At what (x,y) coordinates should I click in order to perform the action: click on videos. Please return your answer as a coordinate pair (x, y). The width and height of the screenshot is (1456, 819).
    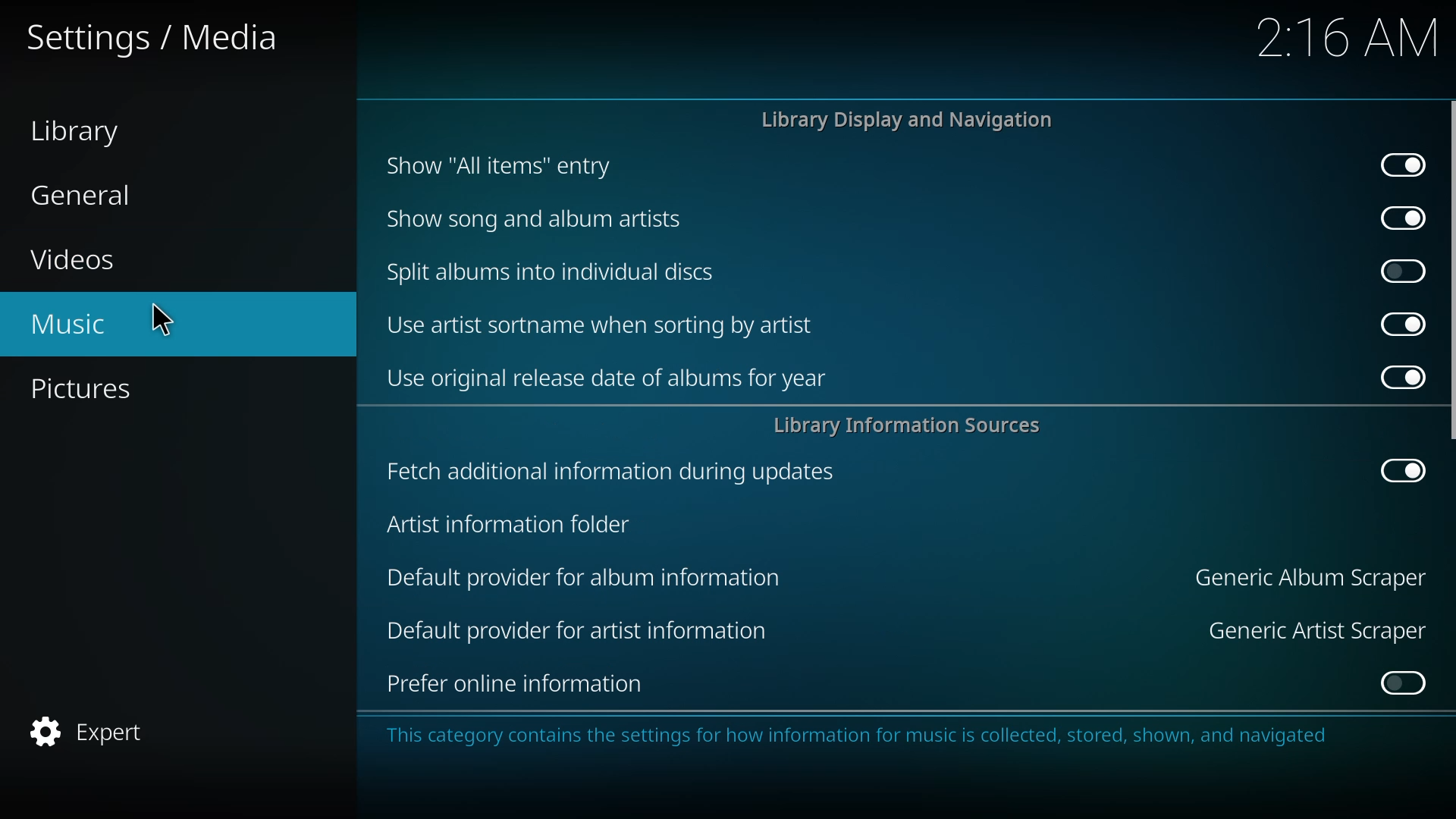
    Looking at the image, I should click on (77, 260).